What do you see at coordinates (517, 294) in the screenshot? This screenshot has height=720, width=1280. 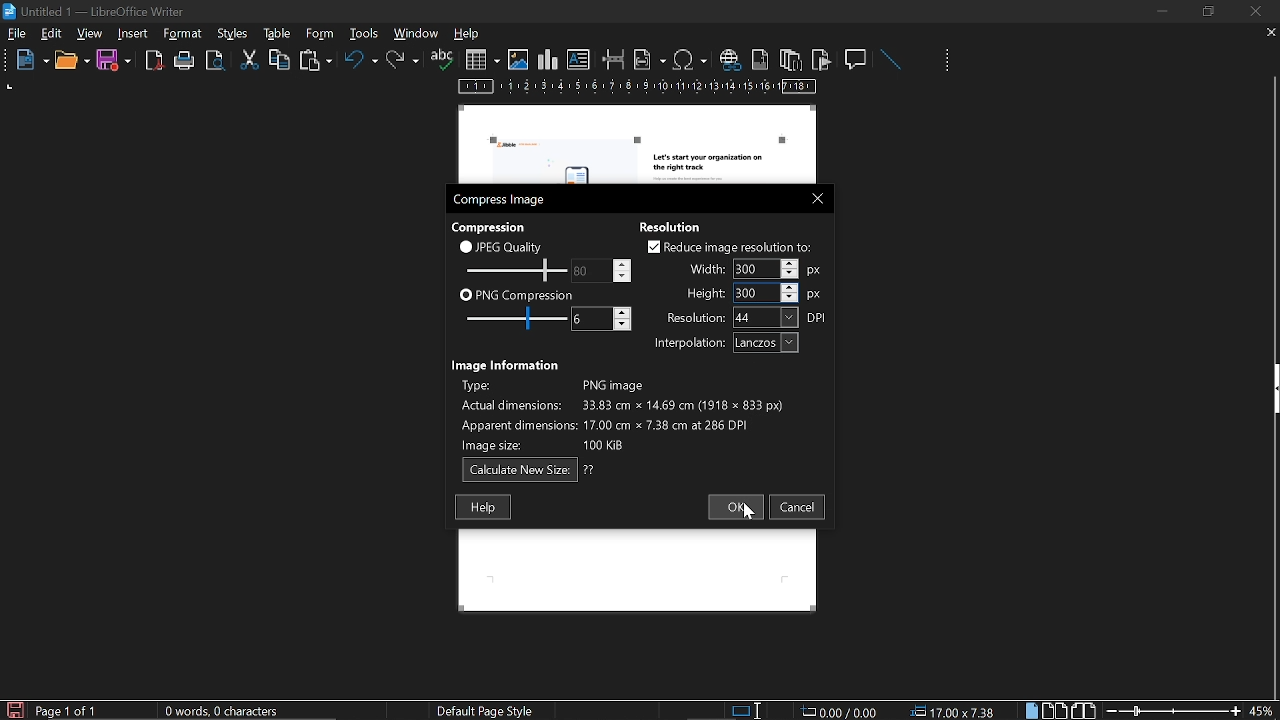 I see `png compression` at bounding box center [517, 294].